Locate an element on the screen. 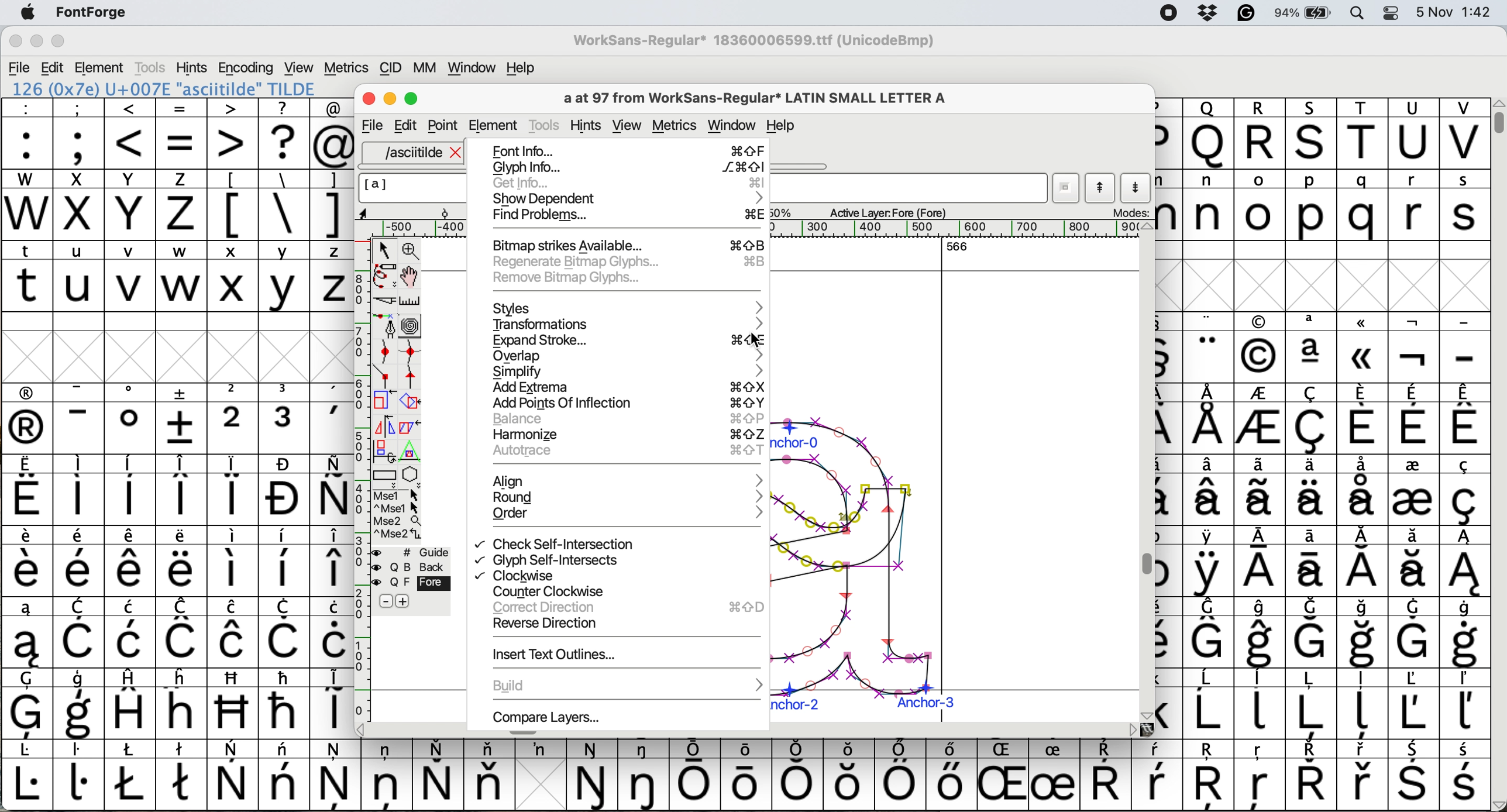  symbol is located at coordinates (1208, 562).